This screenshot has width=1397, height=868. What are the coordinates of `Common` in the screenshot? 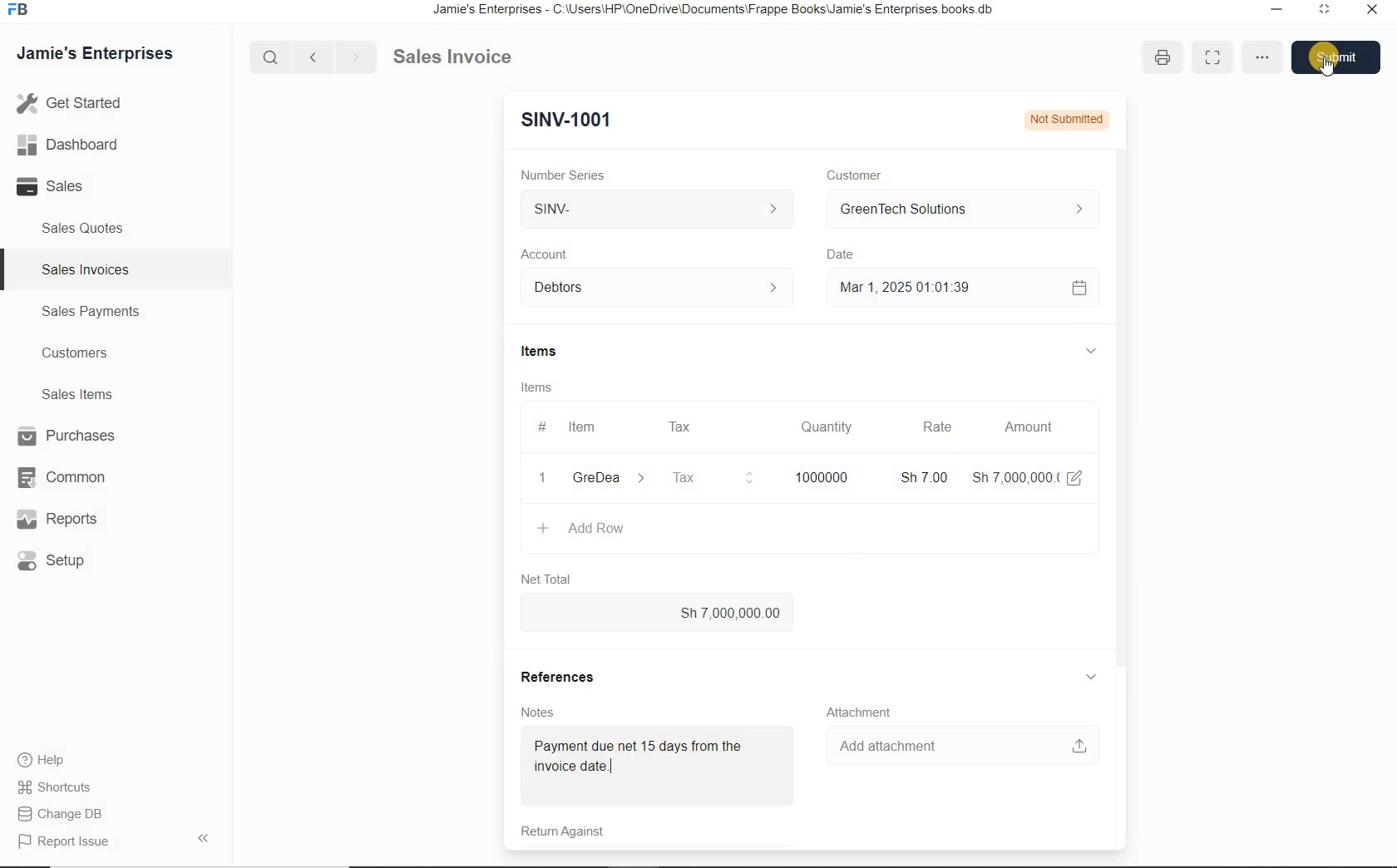 It's located at (59, 476).